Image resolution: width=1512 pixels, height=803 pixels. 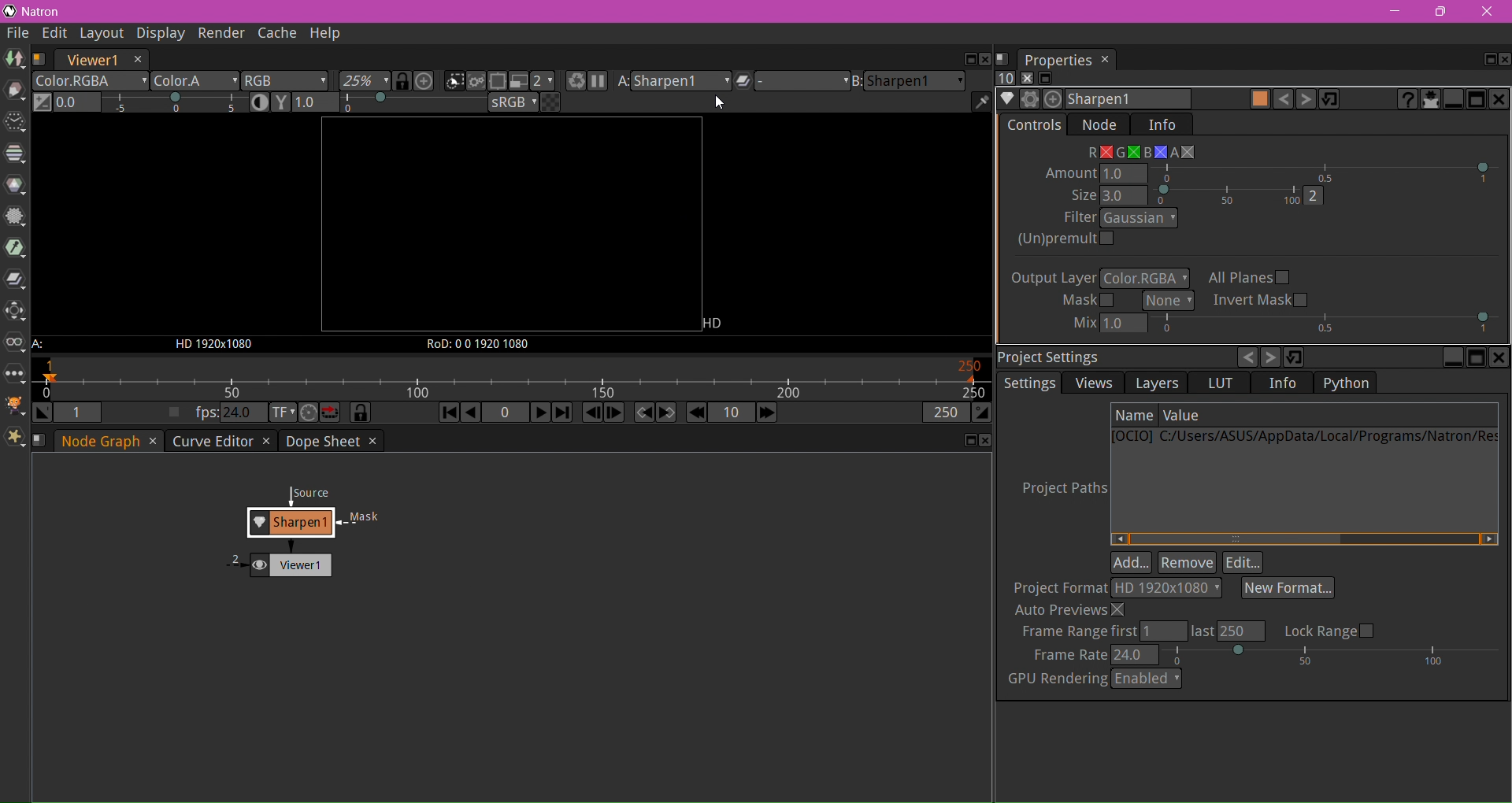 I want to click on Edit, so click(x=56, y=35).